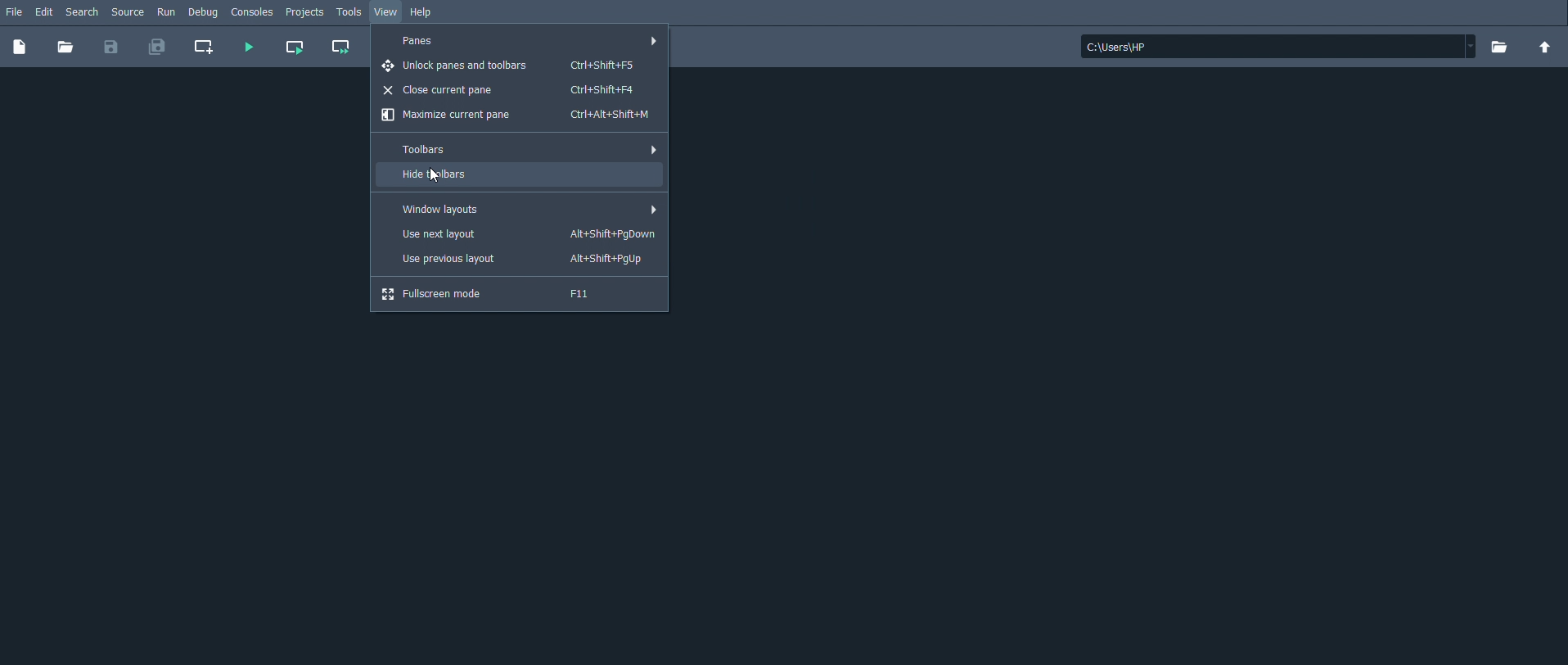 This screenshot has width=1568, height=665. I want to click on Panes, so click(529, 43).